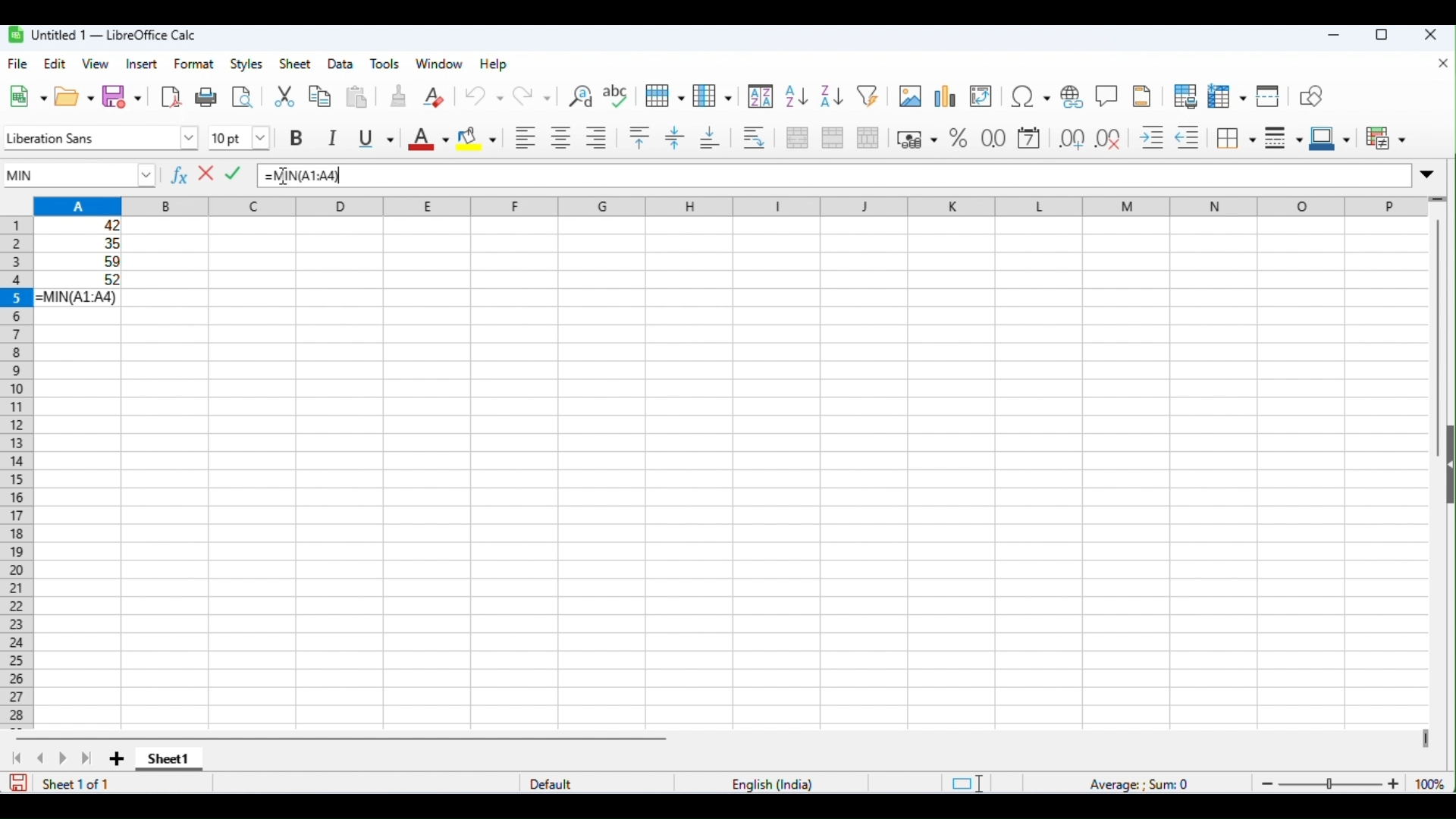  Describe the element at coordinates (440, 65) in the screenshot. I see `window` at that location.